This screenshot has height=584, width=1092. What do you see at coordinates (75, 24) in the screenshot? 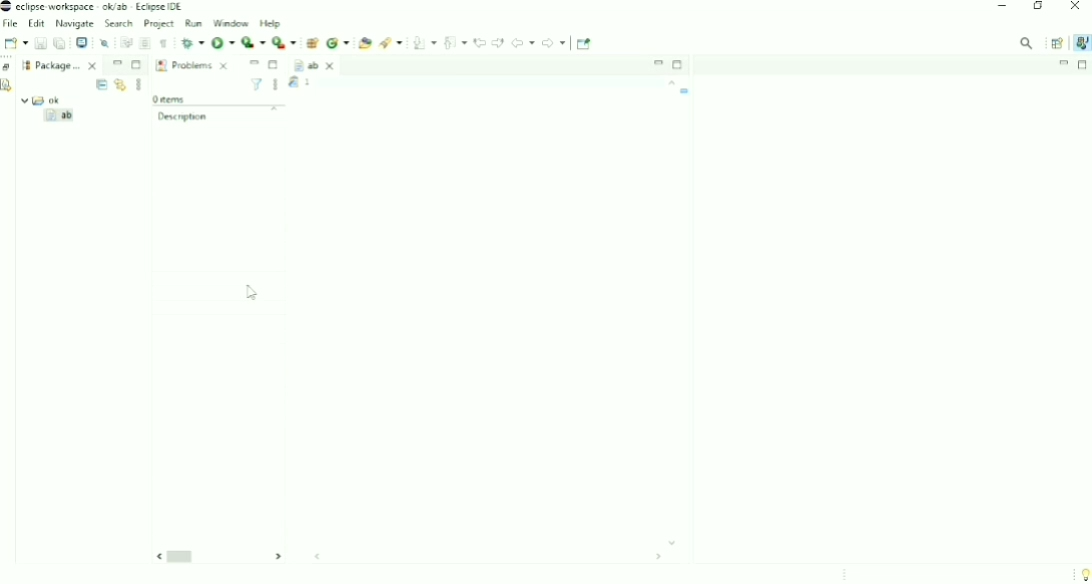
I see `Navigate` at bounding box center [75, 24].